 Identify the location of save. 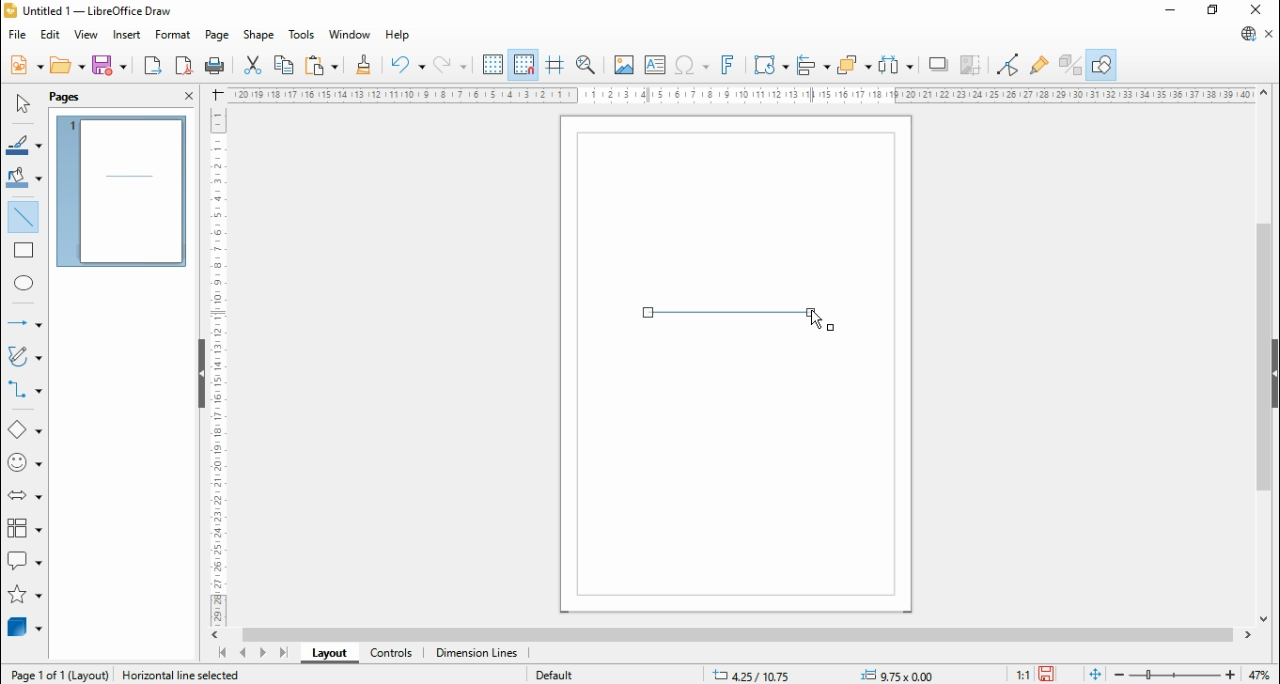
(111, 65).